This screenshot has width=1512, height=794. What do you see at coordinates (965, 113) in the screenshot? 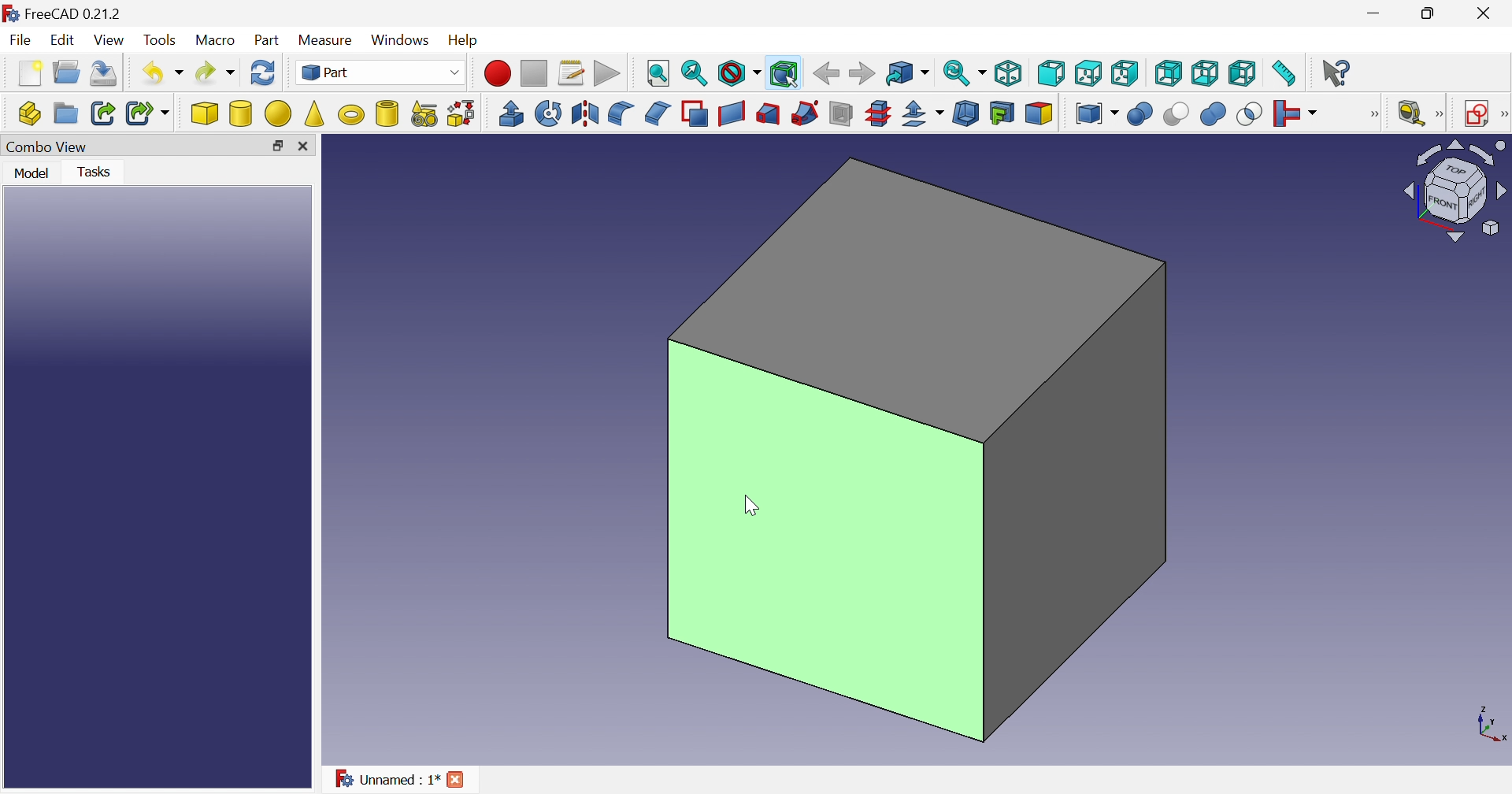
I see `Thickness...` at bounding box center [965, 113].